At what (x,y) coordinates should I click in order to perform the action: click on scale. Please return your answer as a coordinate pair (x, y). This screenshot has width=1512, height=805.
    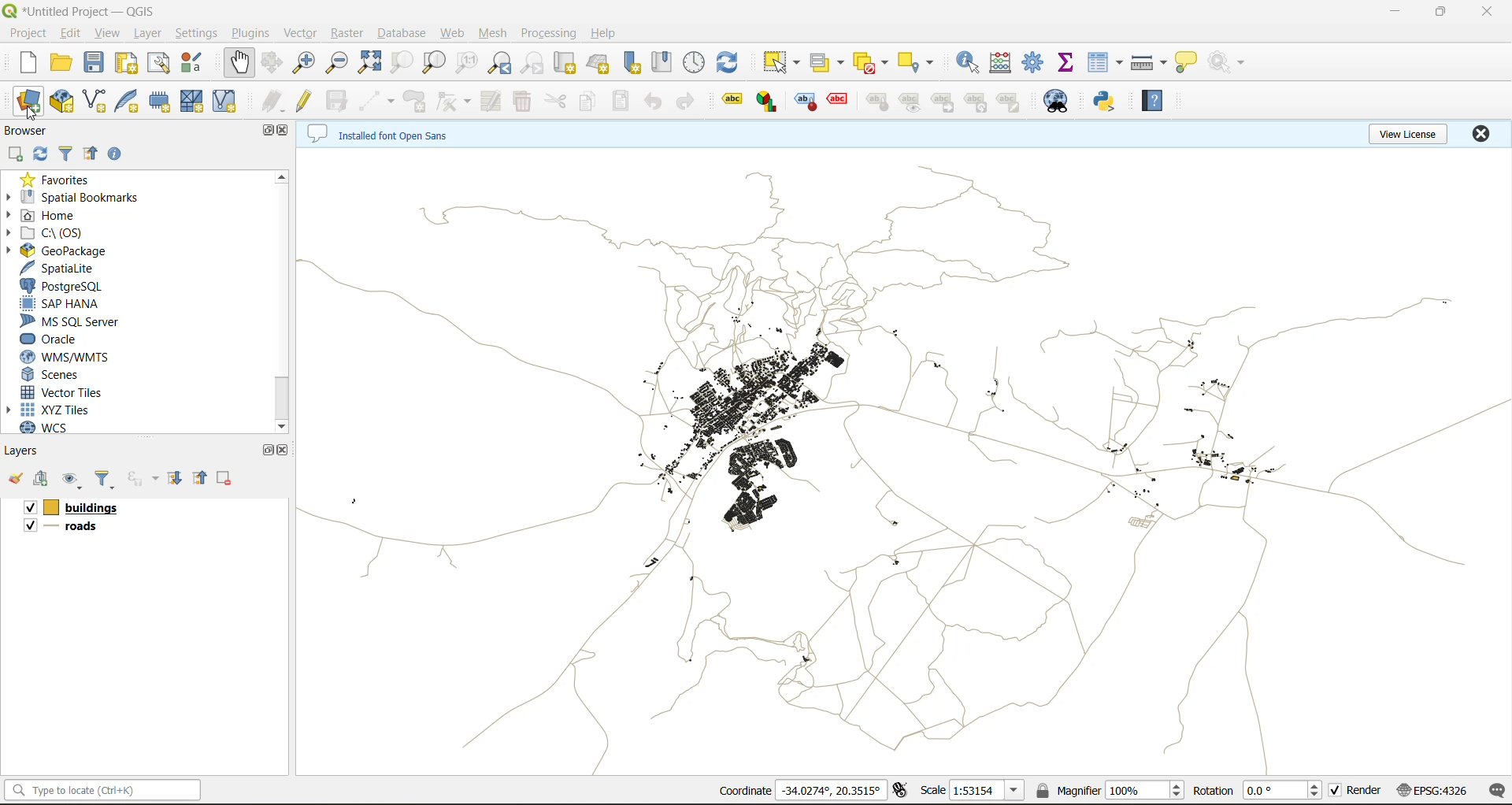
    Looking at the image, I should click on (986, 791).